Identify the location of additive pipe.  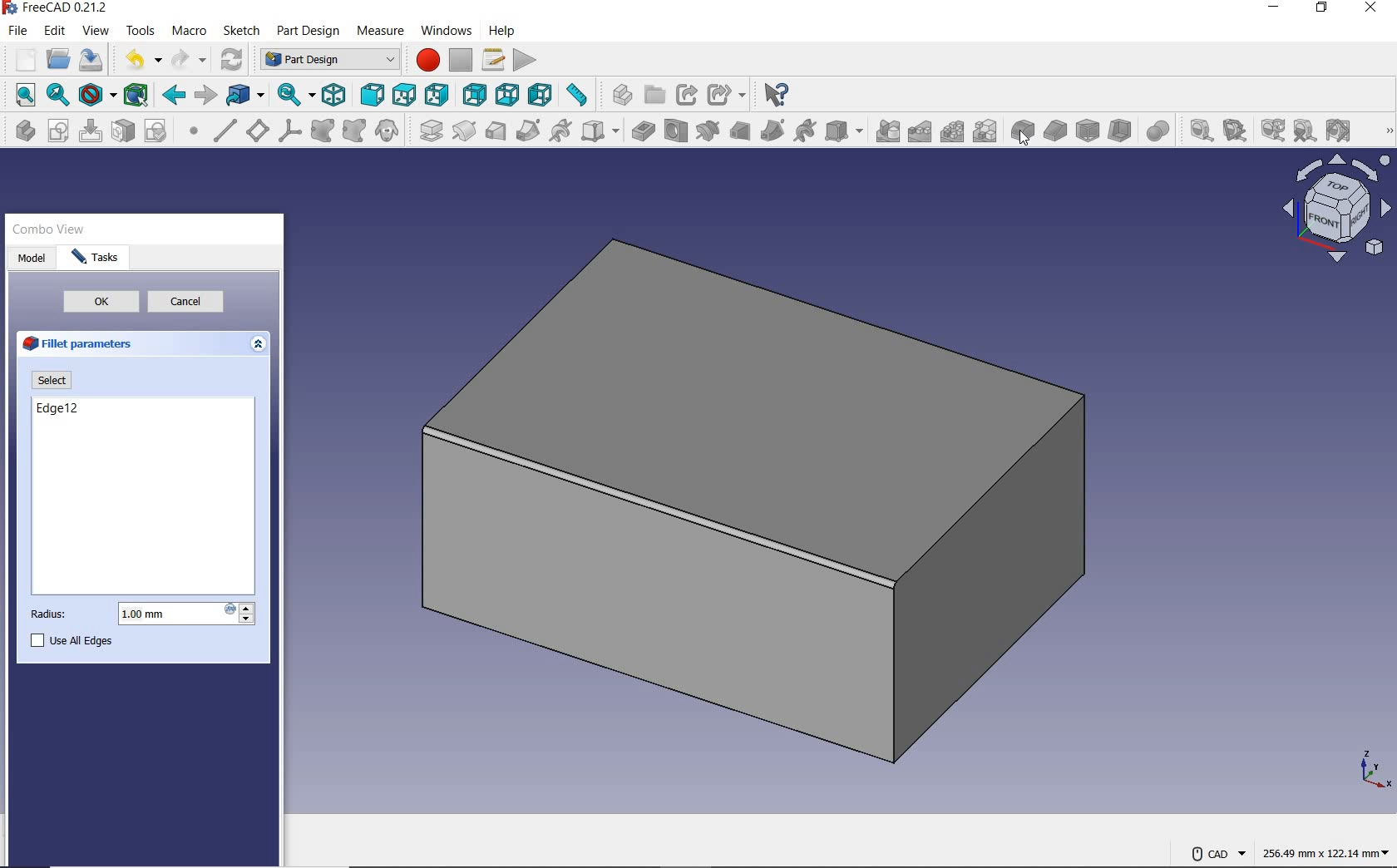
(531, 131).